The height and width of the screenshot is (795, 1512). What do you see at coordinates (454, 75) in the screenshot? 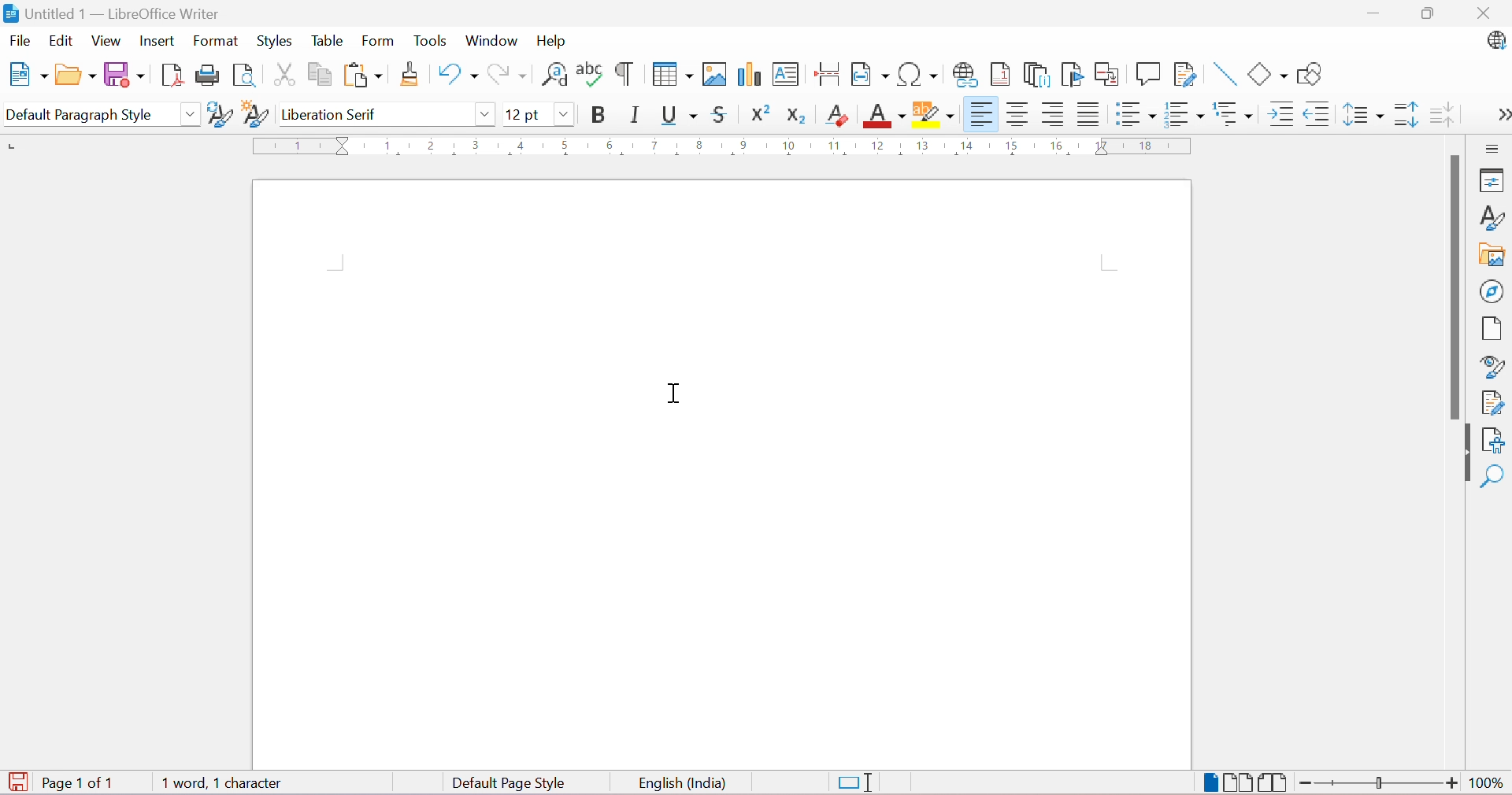
I see `Undo` at bounding box center [454, 75].